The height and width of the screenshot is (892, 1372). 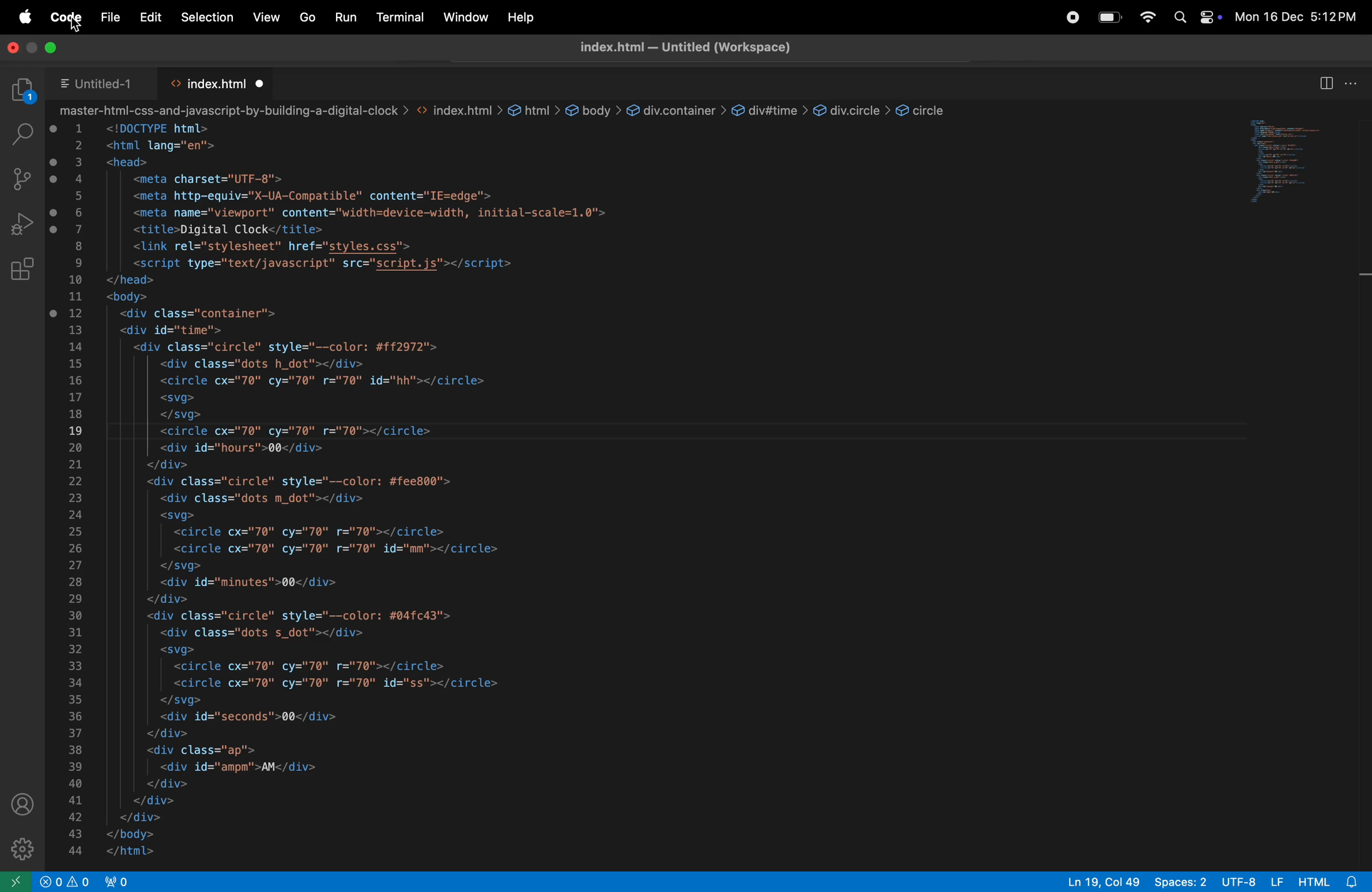 I want to click on <div class="circle" style="--color: #04fc43">, so click(x=303, y=615).